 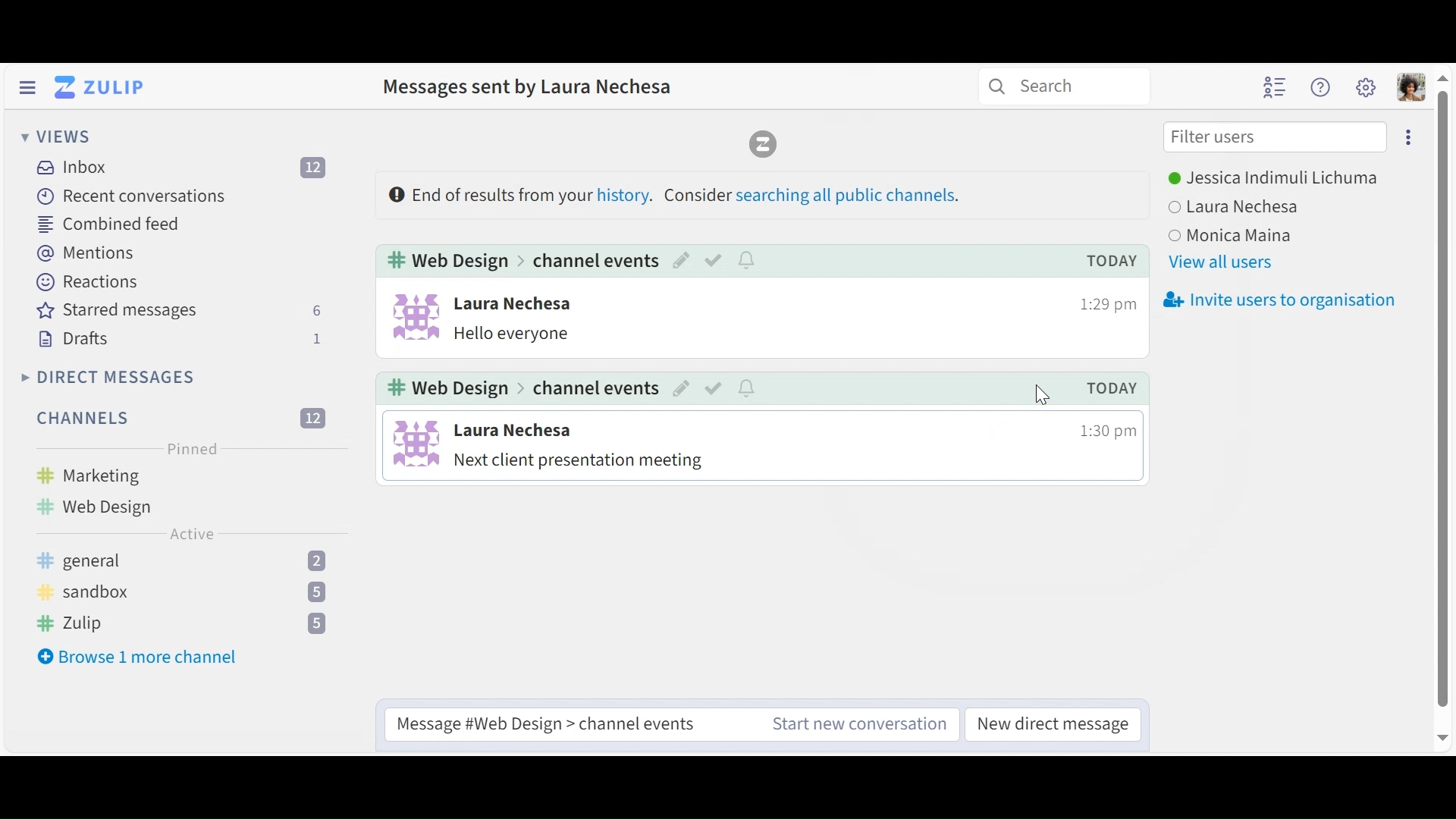 What do you see at coordinates (751, 262) in the screenshot?
I see `notify` at bounding box center [751, 262].